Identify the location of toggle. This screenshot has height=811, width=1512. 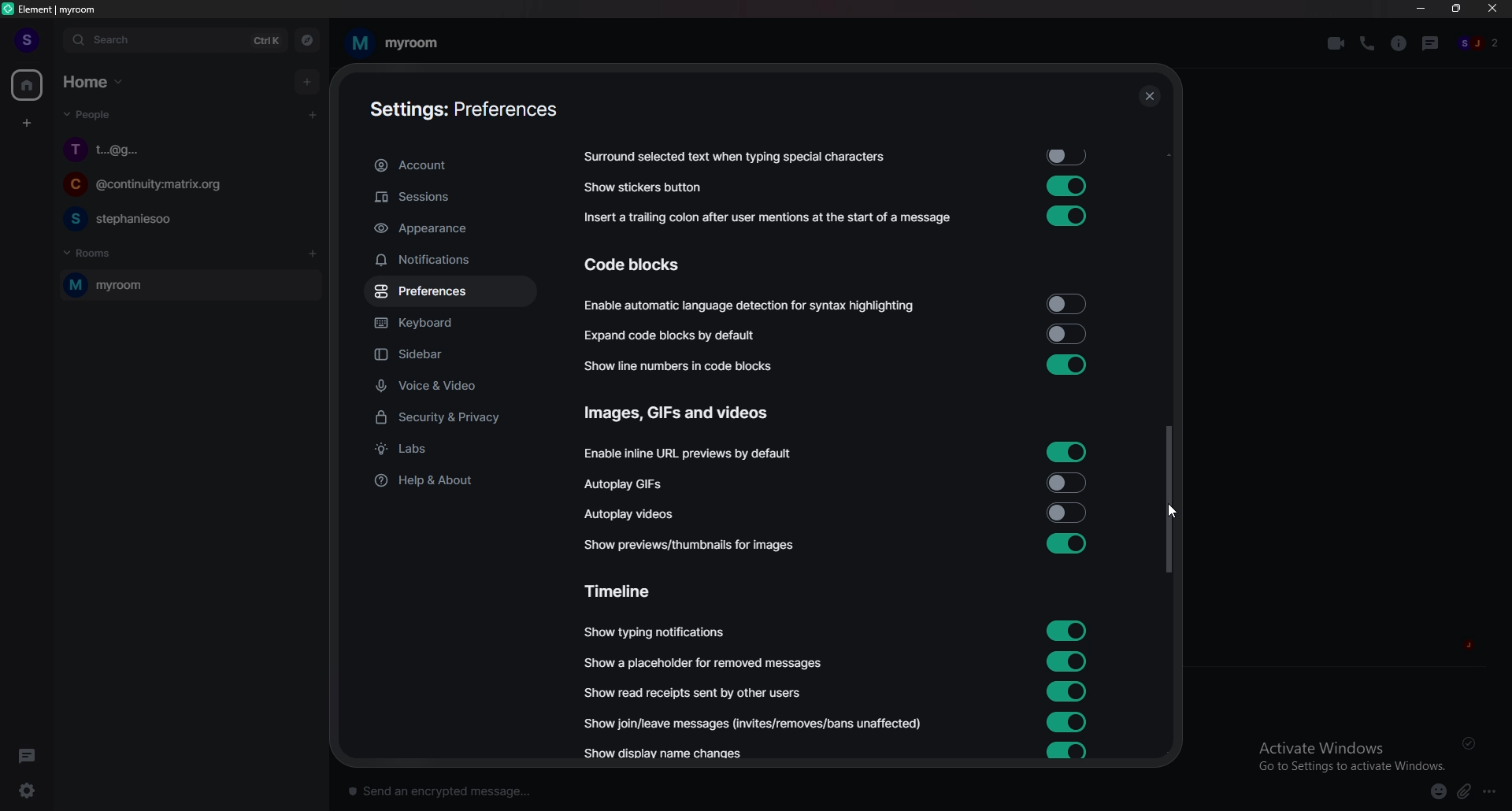
(1071, 157).